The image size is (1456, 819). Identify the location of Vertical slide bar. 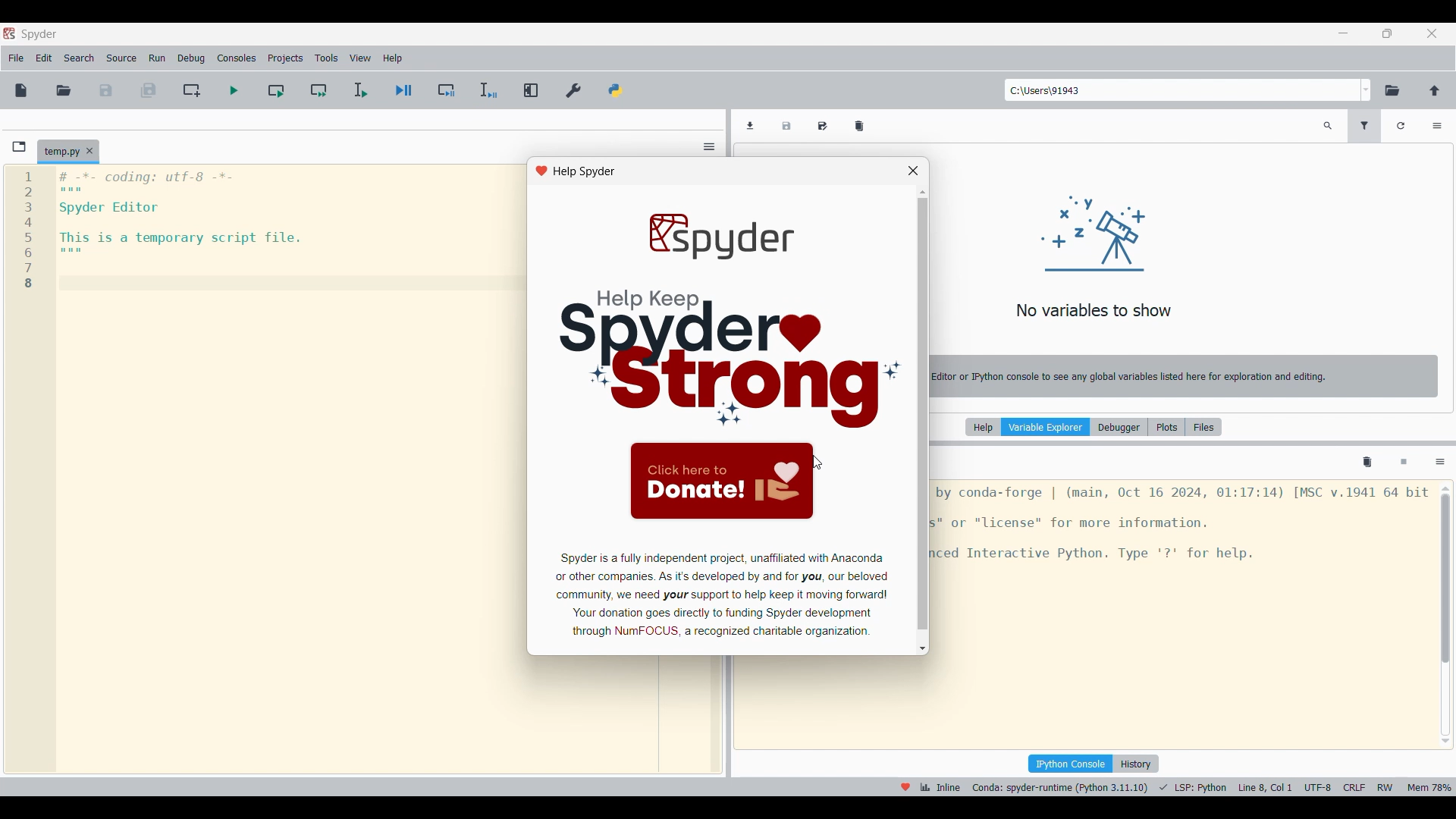
(1445, 614).